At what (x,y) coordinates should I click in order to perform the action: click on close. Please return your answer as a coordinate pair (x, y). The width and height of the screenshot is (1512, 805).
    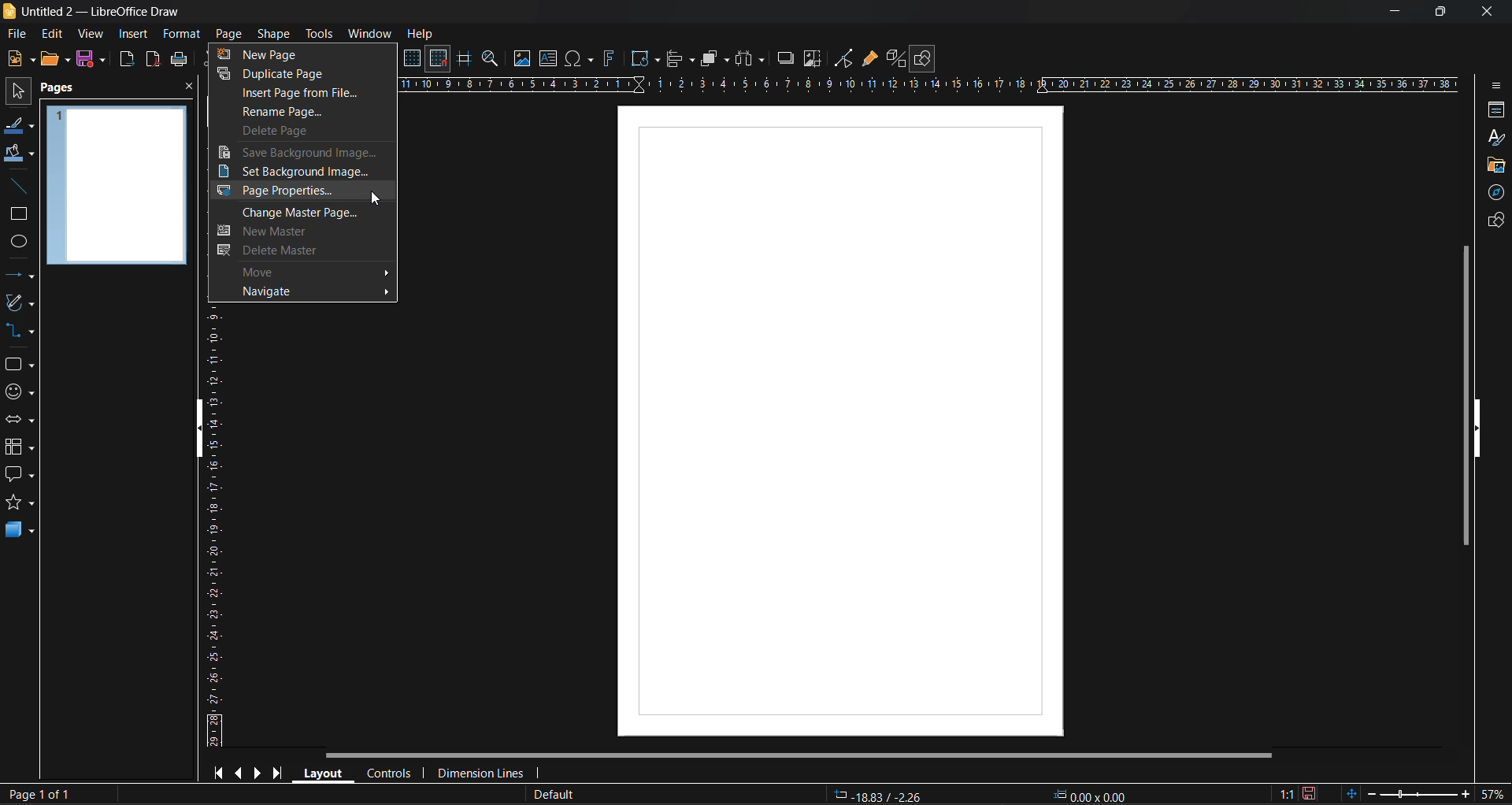
    Looking at the image, I should click on (1488, 13).